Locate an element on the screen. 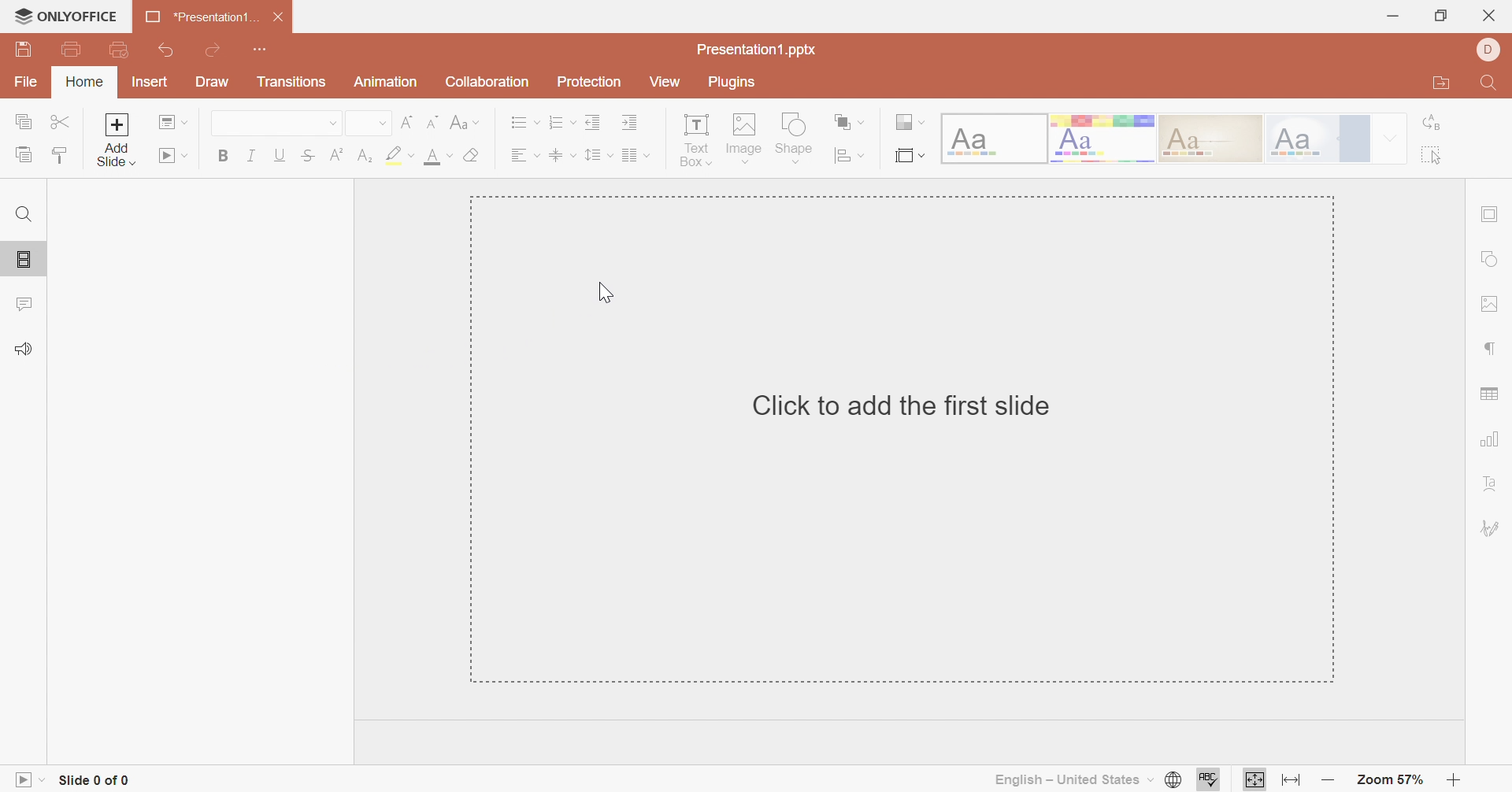  Drop Down is located at coordinates (863, 120).